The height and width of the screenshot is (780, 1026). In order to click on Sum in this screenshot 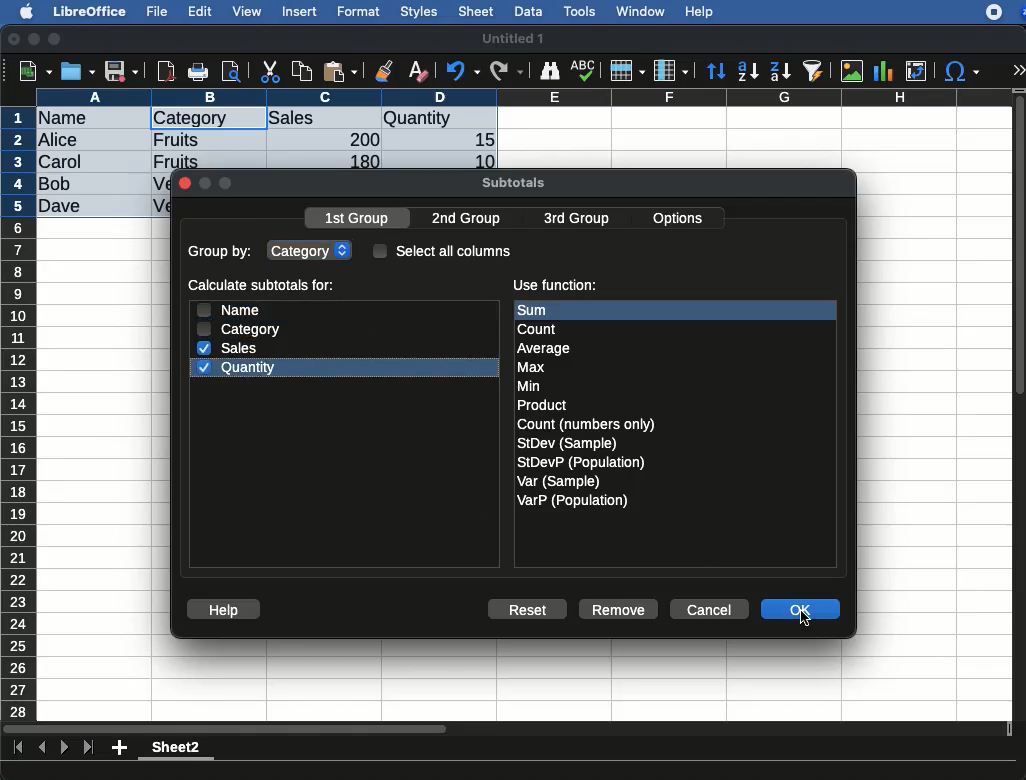, I will do `click(546, 310)`.